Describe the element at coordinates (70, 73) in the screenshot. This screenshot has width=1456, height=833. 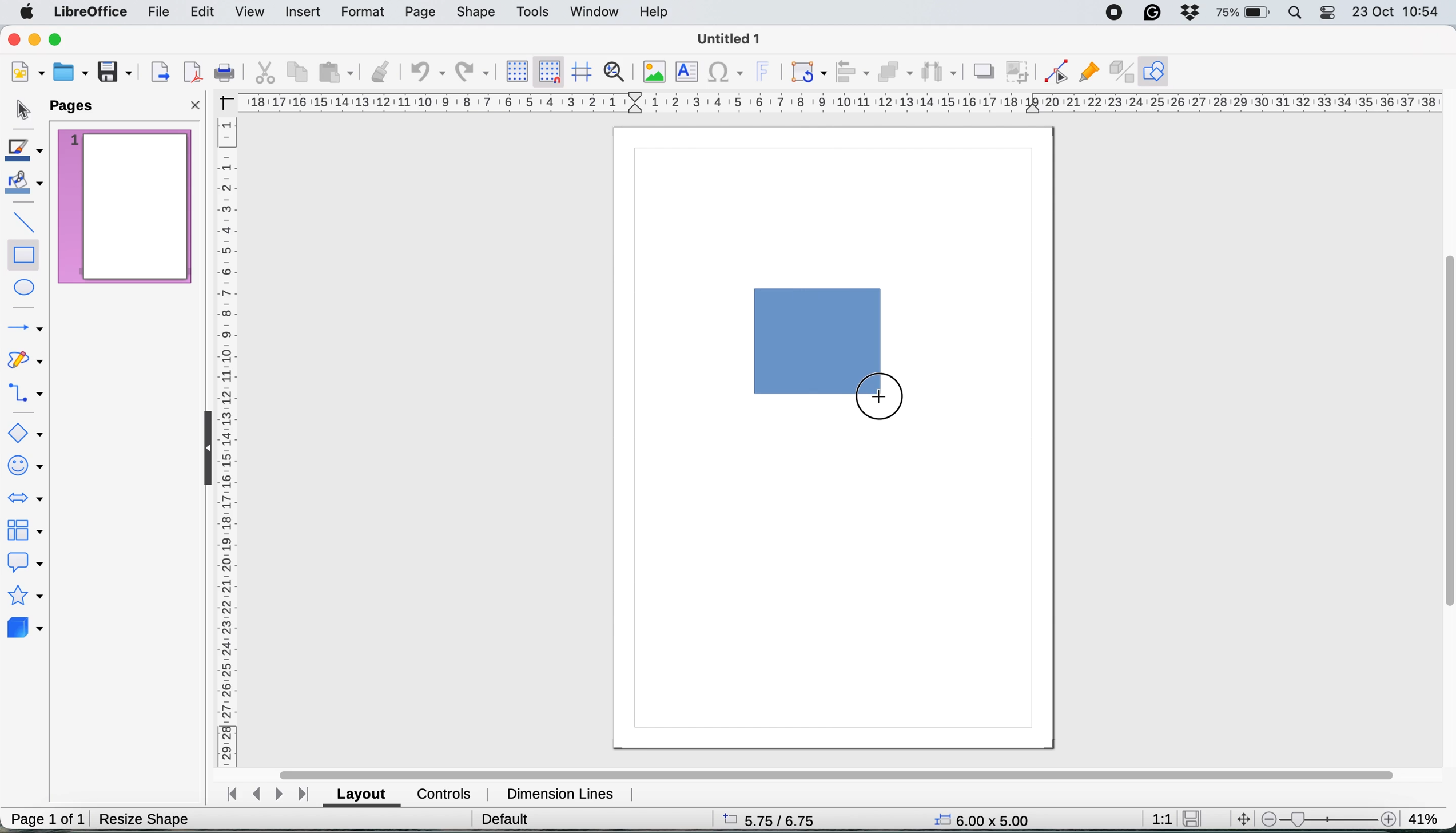
I see `open` at that location.